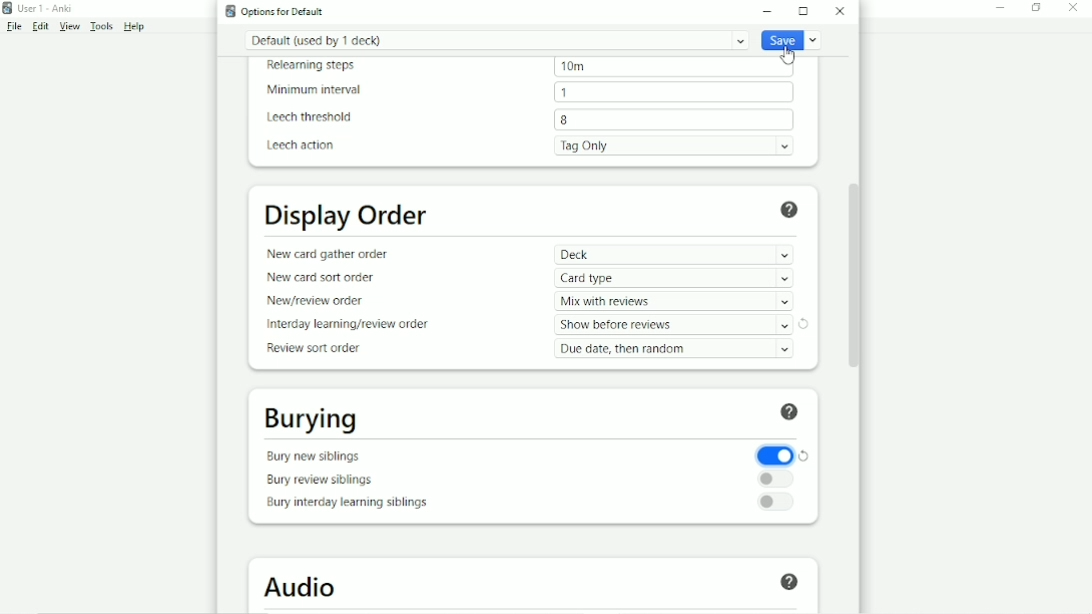 This screenshot has width=1092, height=614. What do you see at coordinates (792, 583) in the screenshot?
I see `Help` at bounding box center [792, 583].